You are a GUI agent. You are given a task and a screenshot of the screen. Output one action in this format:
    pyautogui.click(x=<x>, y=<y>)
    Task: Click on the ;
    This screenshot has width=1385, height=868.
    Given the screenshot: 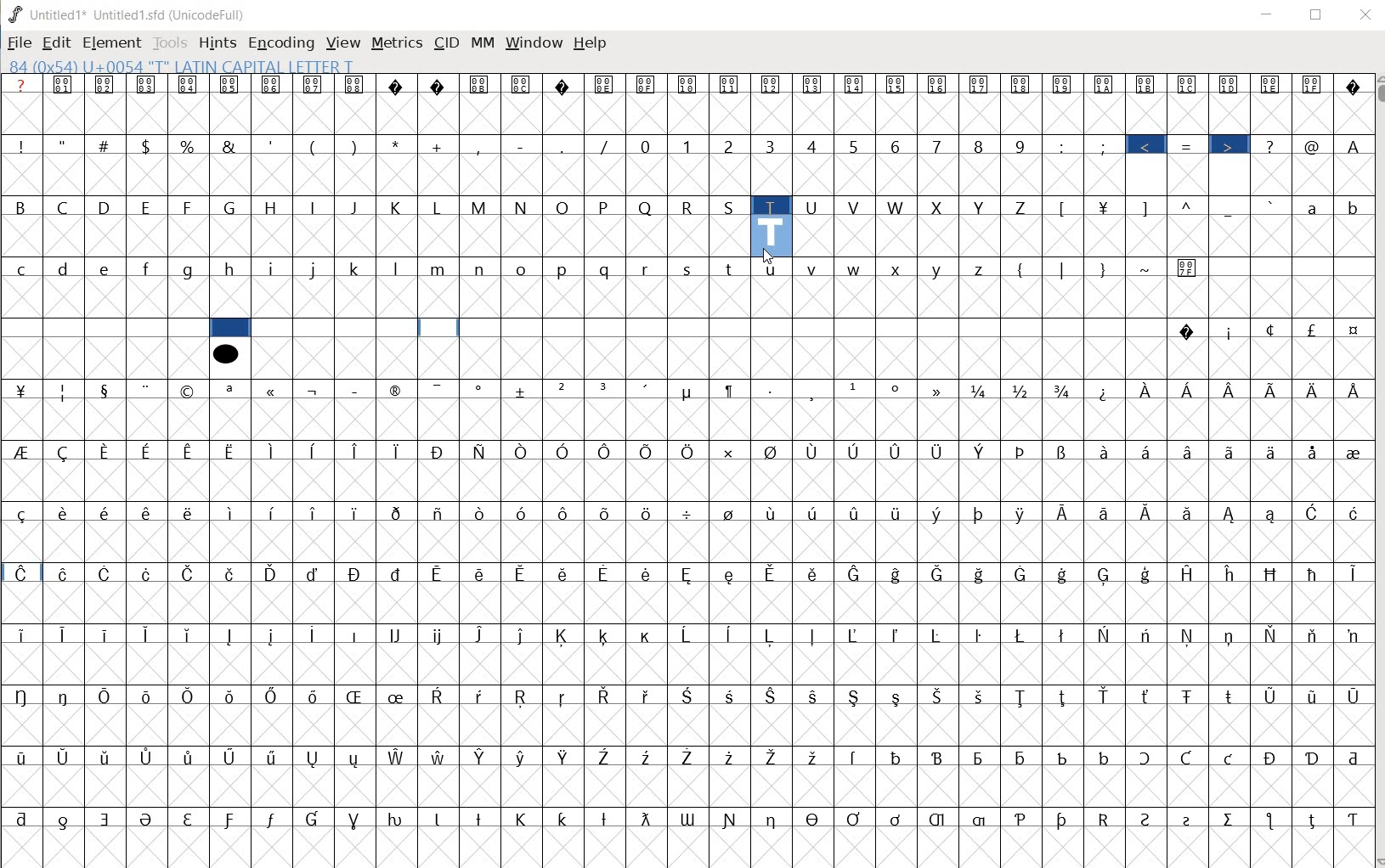 What is the action you would take?
    pyautogui.click(x=1105, y=146)
    